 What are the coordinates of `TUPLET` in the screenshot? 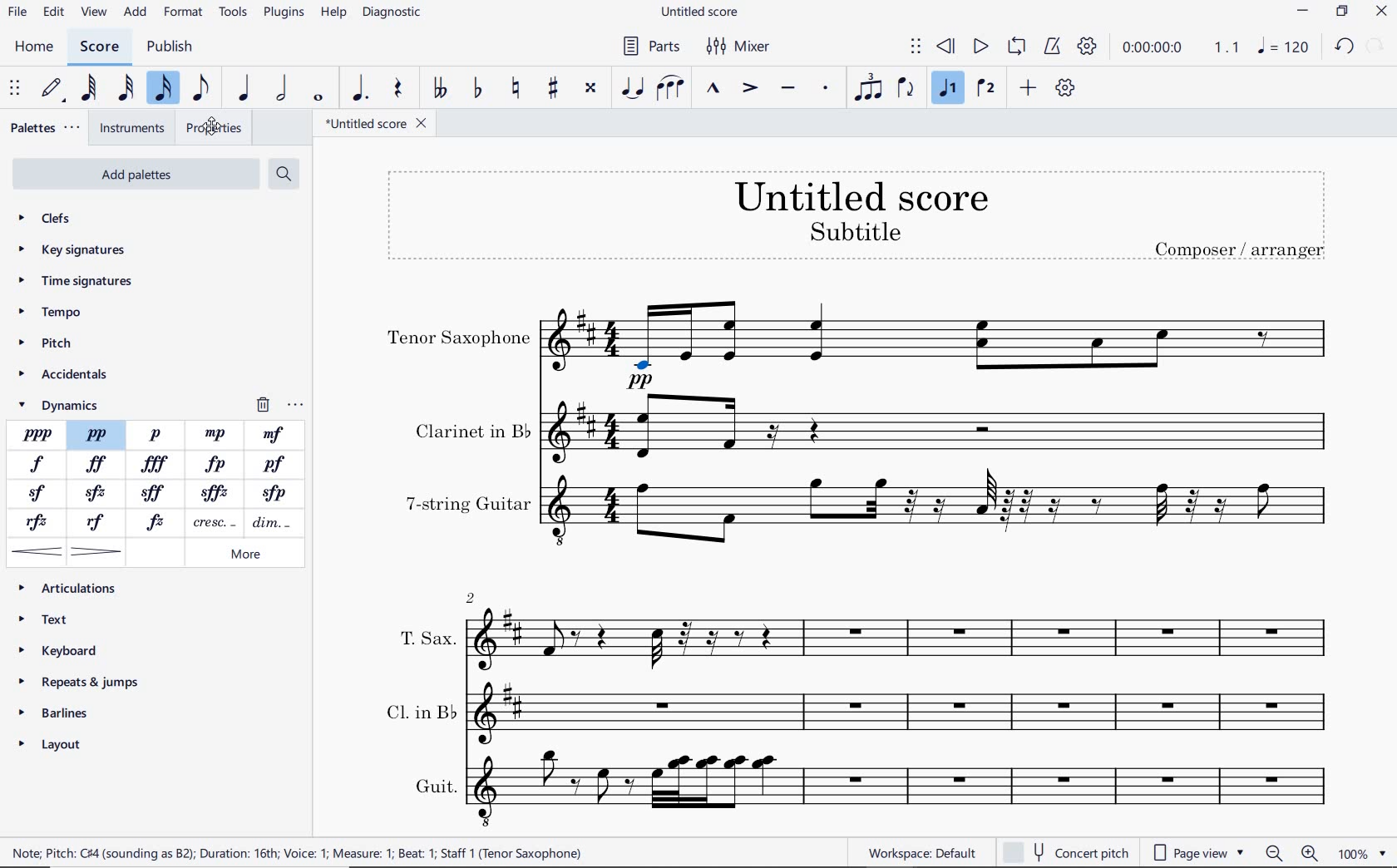 It's located at (869, 86).